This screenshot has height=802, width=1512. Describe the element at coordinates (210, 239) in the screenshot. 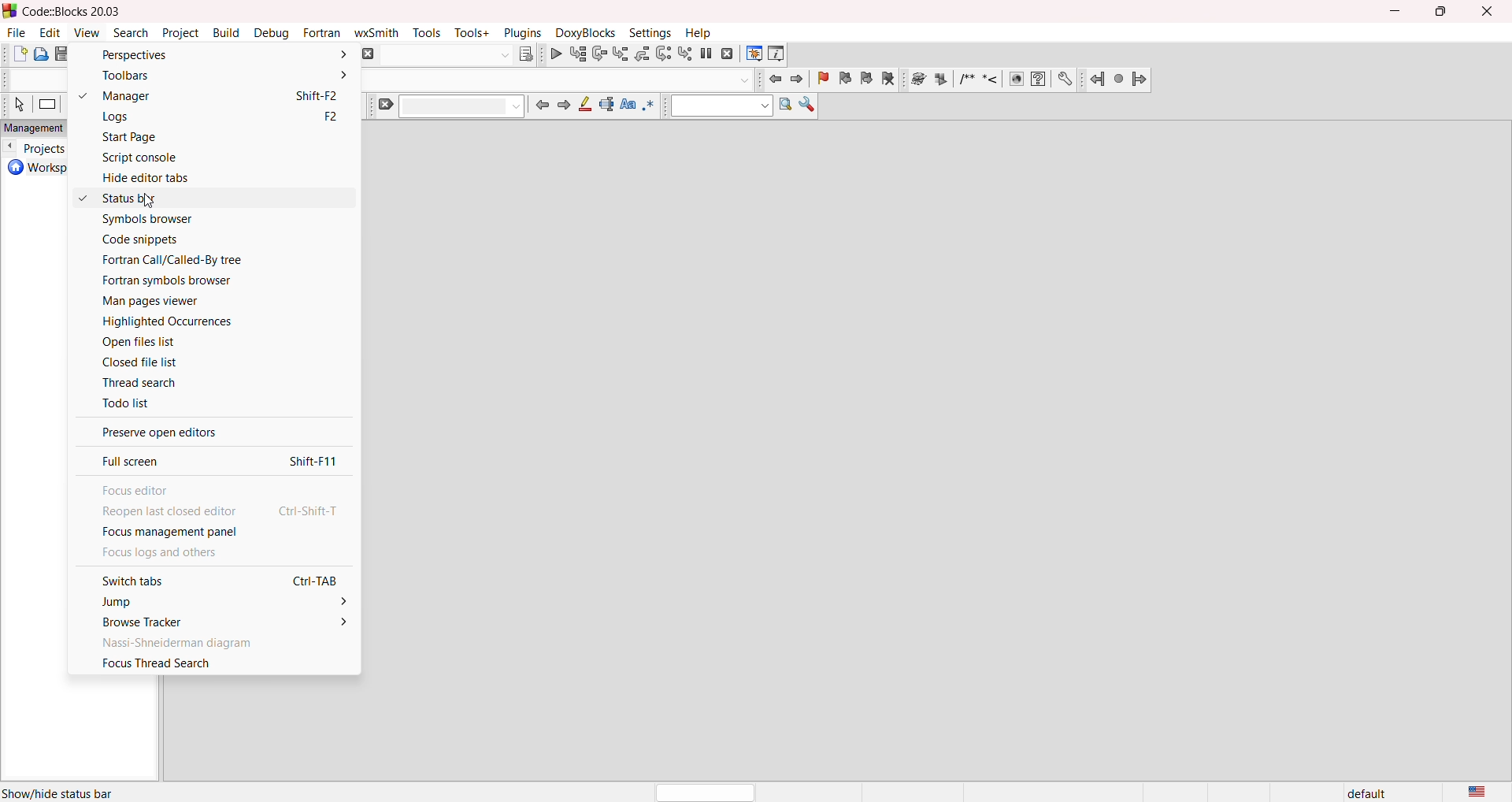

I see `code snippets` at that location.